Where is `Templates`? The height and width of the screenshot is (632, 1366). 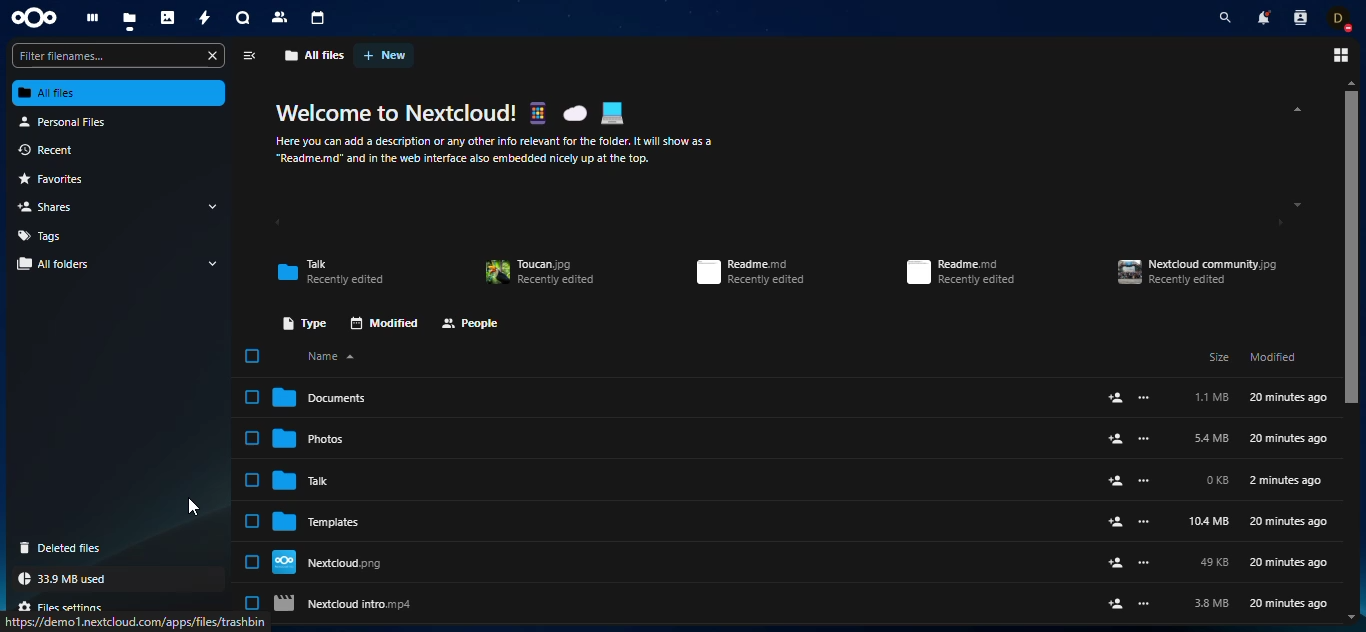 Templates is located at coordinates (320, 521).